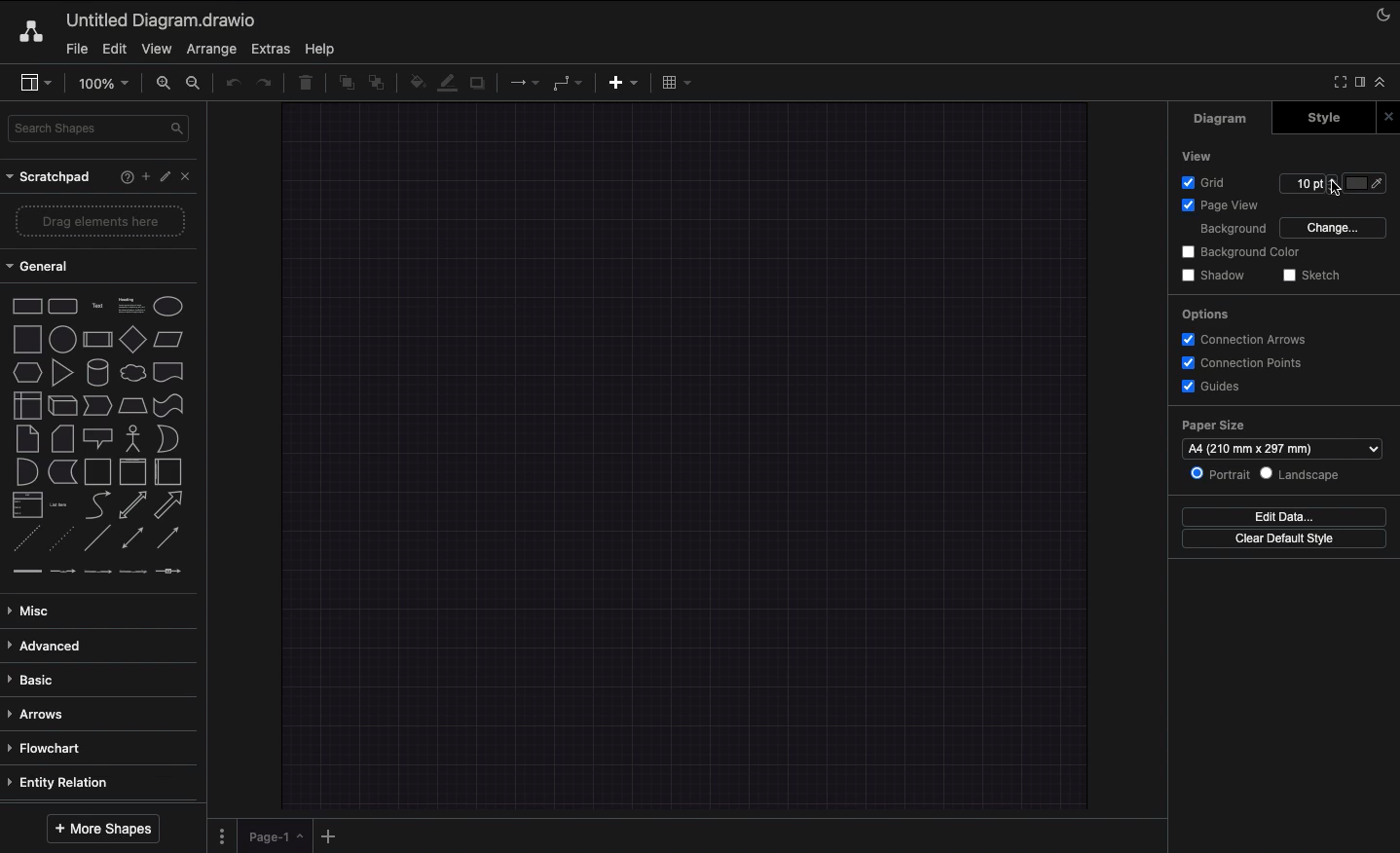 This screenshot has height=853, width=1400. What do you see at coordinates (117, 177) in the screenshot?
I see `Help` at bounding box center [117, 177].